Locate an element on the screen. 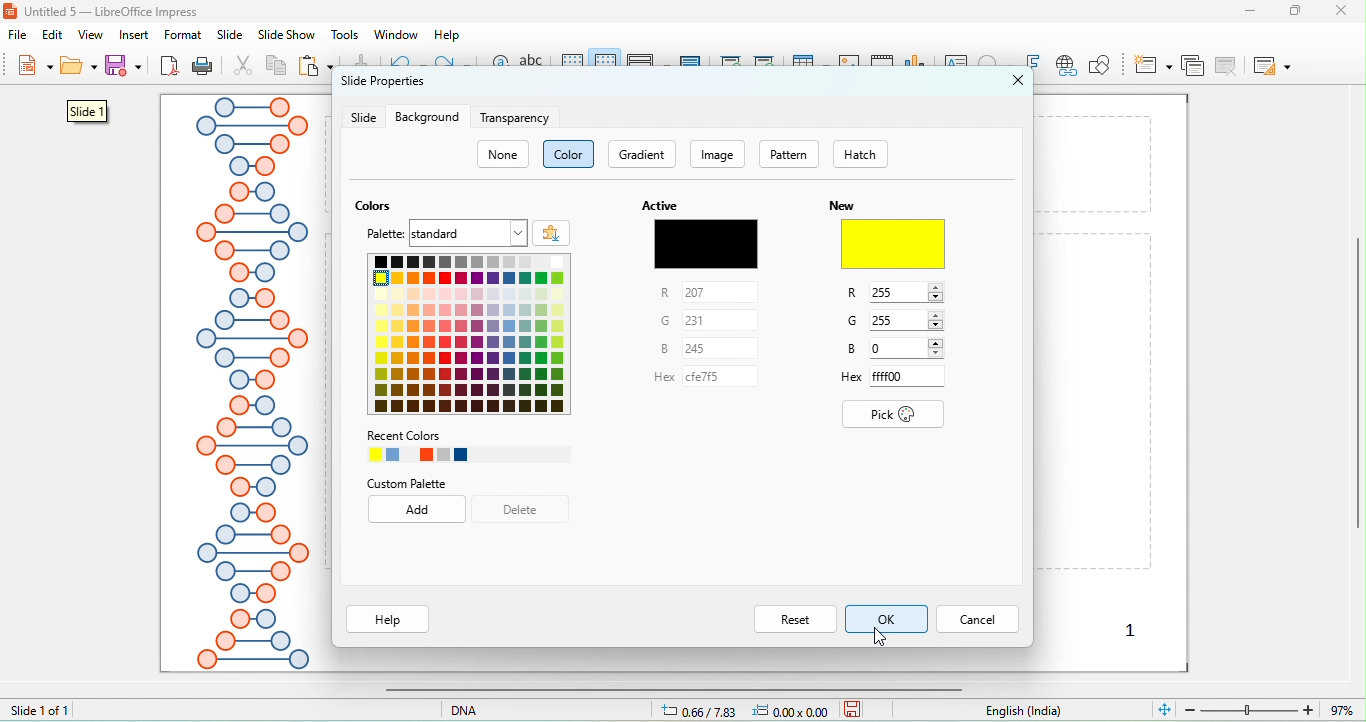 This screenshot has width=1366, height=722. none is located at coordinates (504, 155).